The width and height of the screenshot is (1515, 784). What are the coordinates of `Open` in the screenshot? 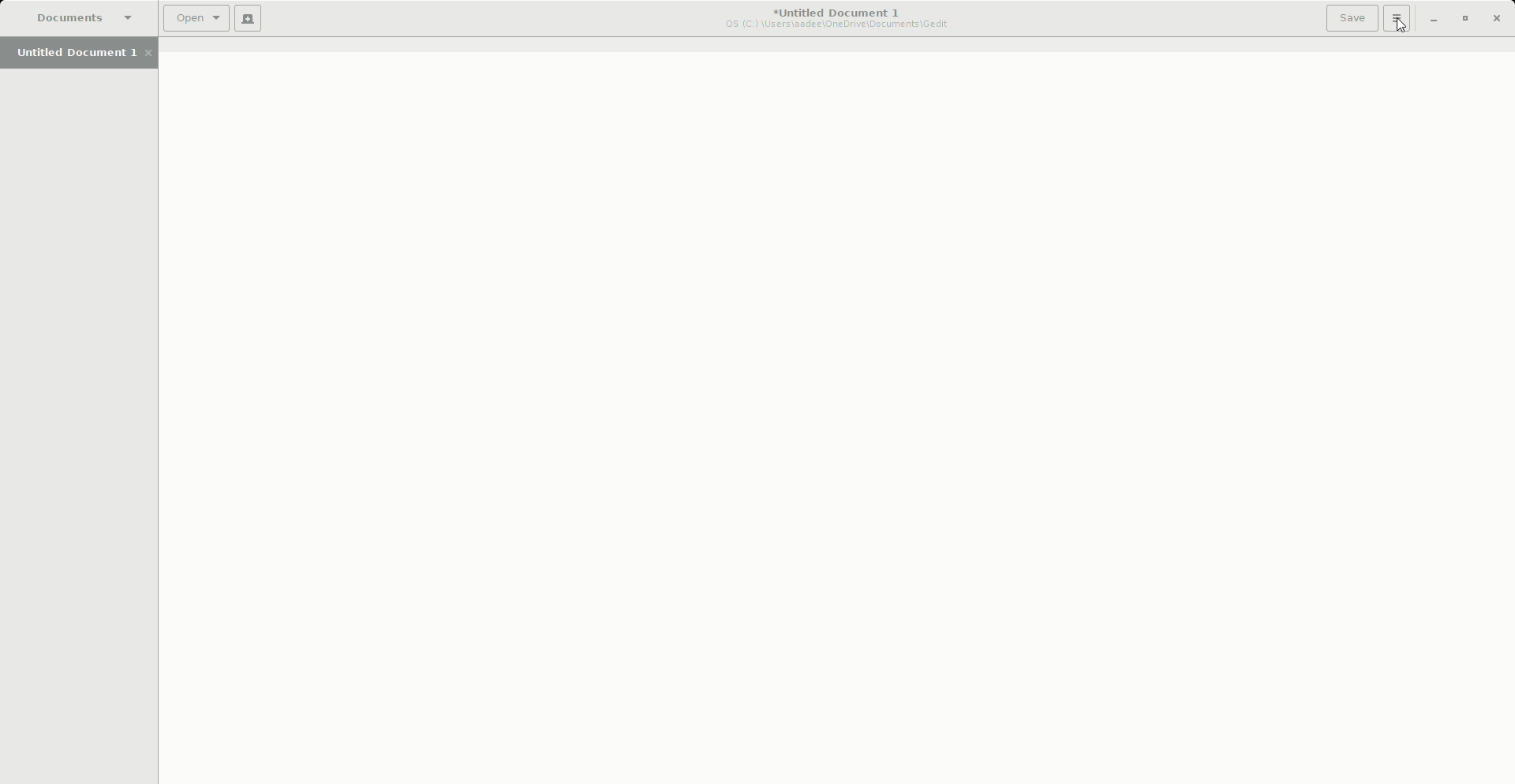 It's located at (193, 21).